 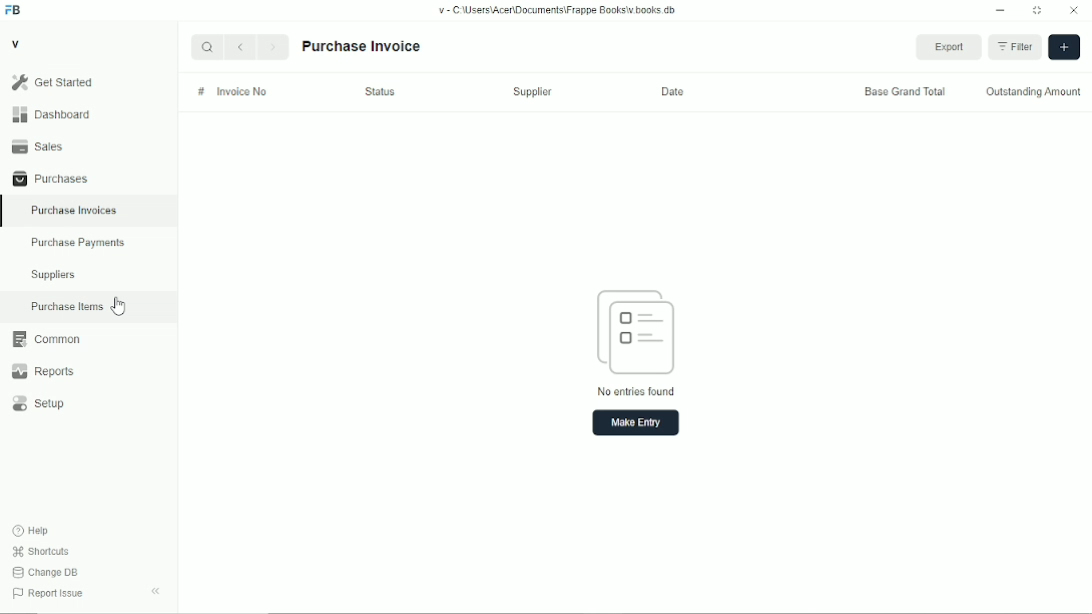 I want to click on report issue, so click(x=48, y=593).